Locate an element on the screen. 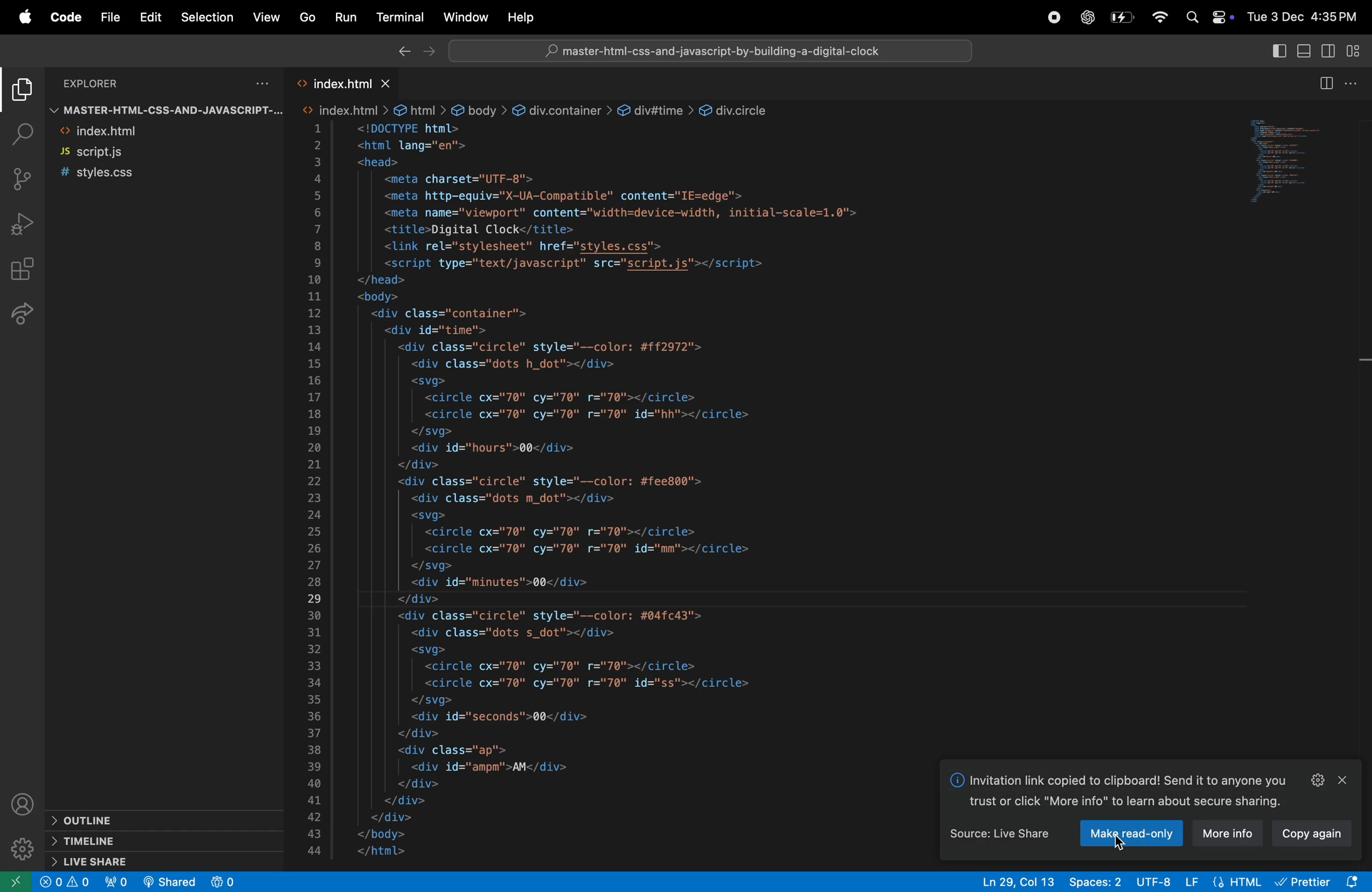 Image resolution: width=1372 pixels, height=892 pixels. file is located at coordinates (107, 16).